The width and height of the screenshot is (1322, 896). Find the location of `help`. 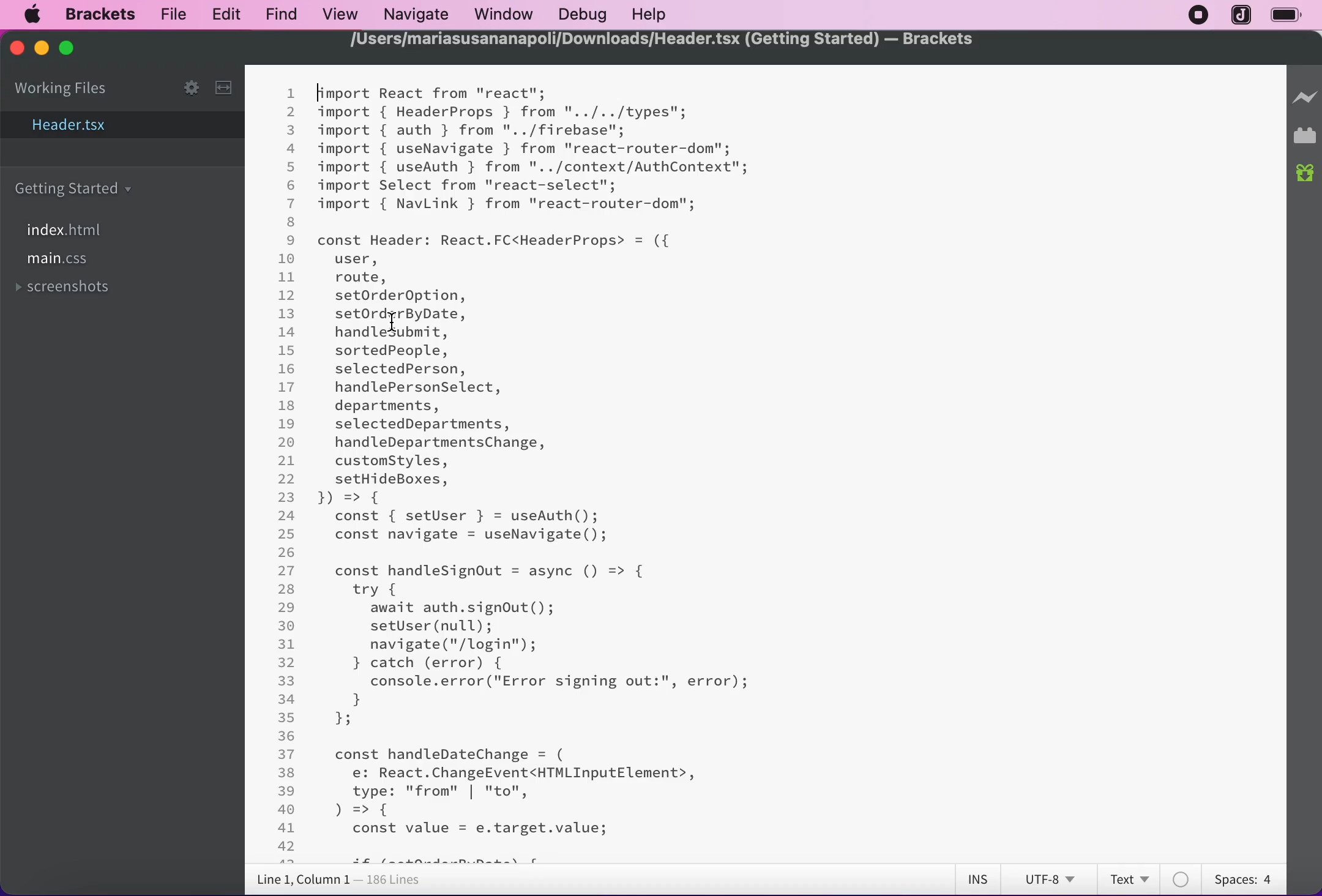

help is located at coordinates (649, 15).